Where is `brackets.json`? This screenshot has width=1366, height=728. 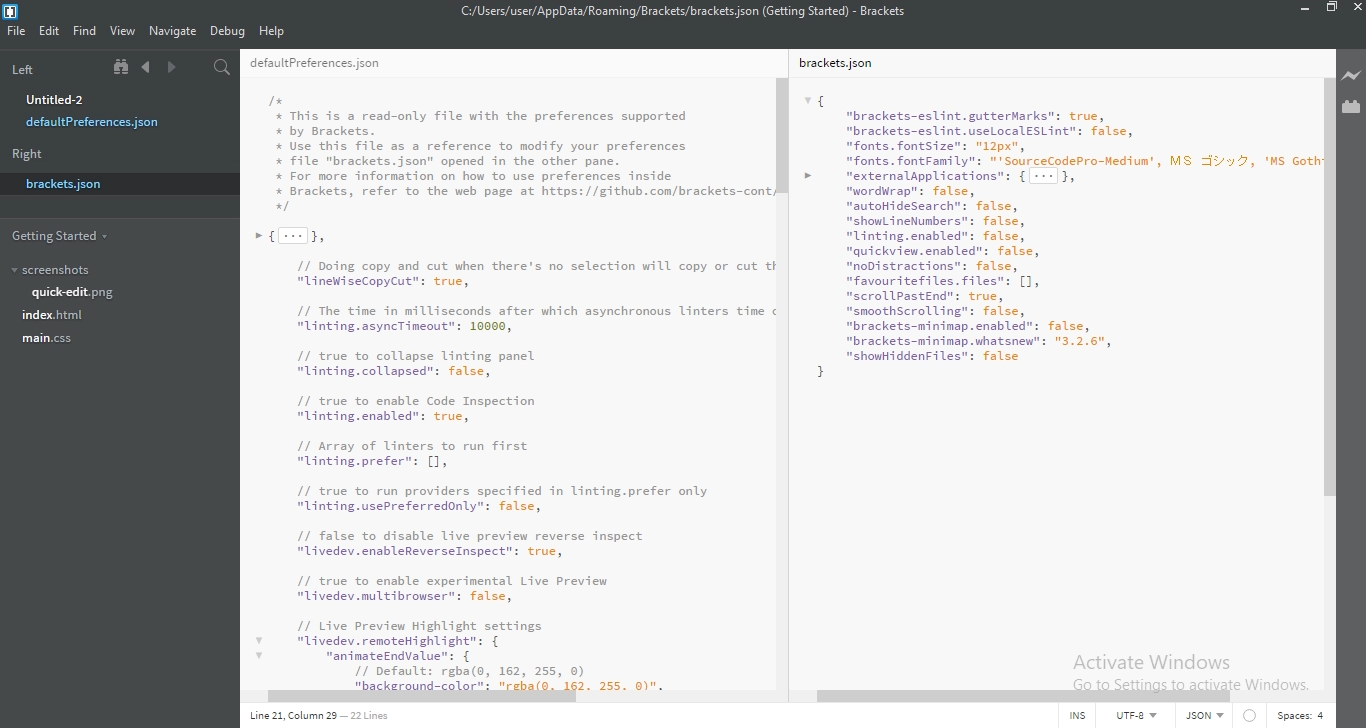
brackets.json is located at coordinates (842, 62).